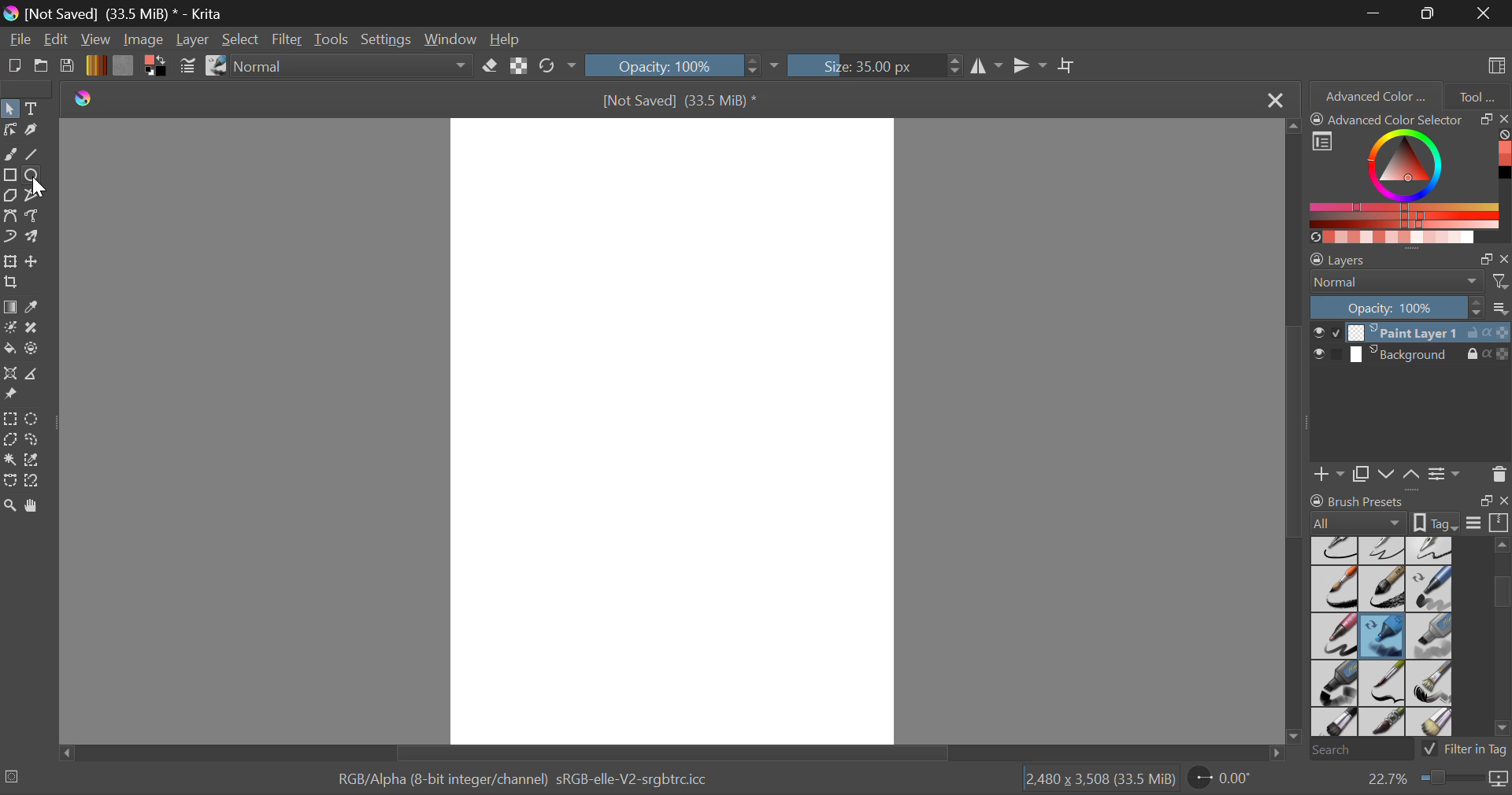 The height and width of the screenshot is (795, 1512). I want to click on Close, so click(1273, 101).